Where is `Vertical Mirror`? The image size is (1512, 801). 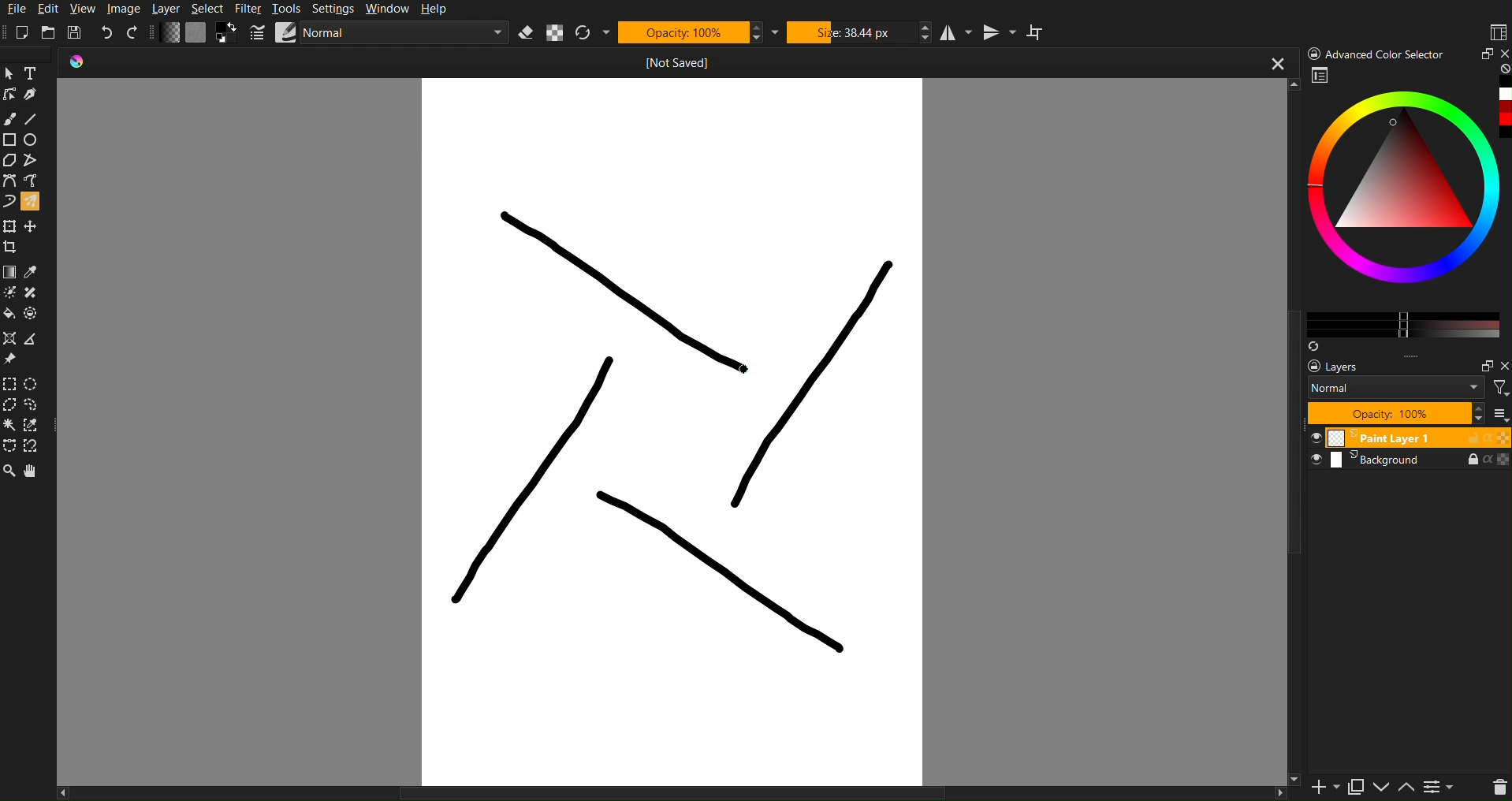 Vertical Mirror is located at coordinates (1003, 32).